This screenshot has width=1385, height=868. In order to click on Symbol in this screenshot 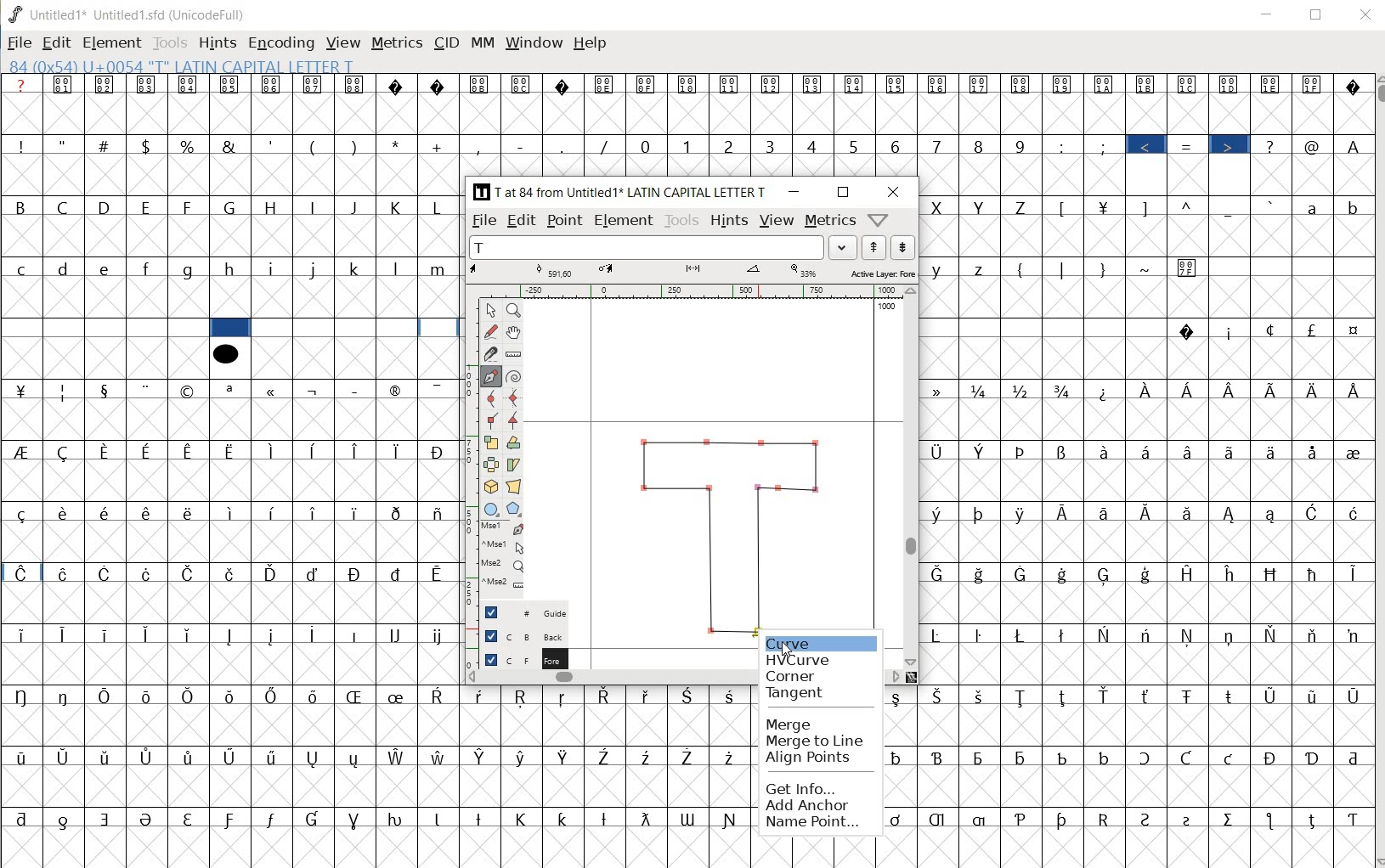, I will do `click(1274, 758)`.